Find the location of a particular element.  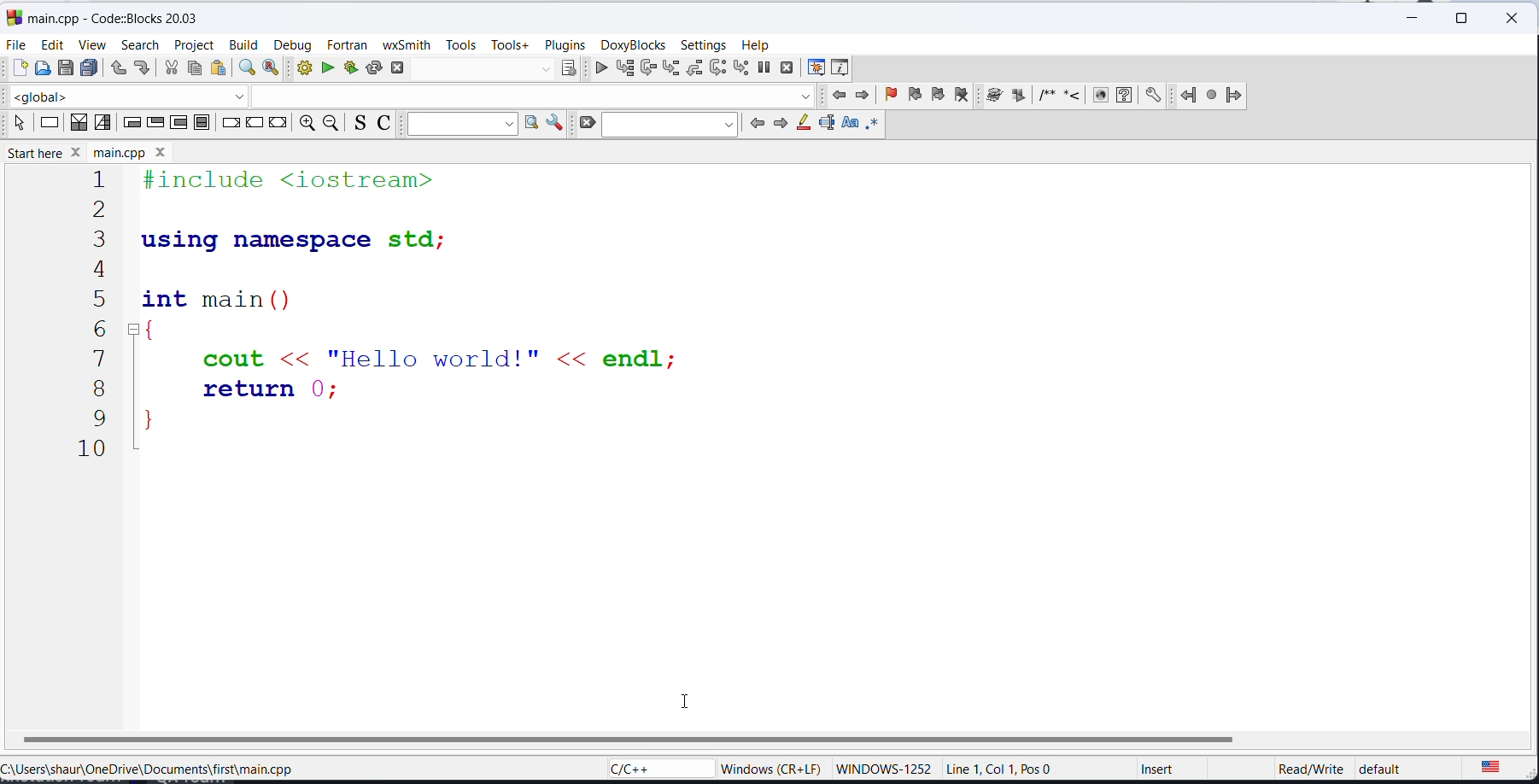

toggle source is located at coordinates (356, 125).